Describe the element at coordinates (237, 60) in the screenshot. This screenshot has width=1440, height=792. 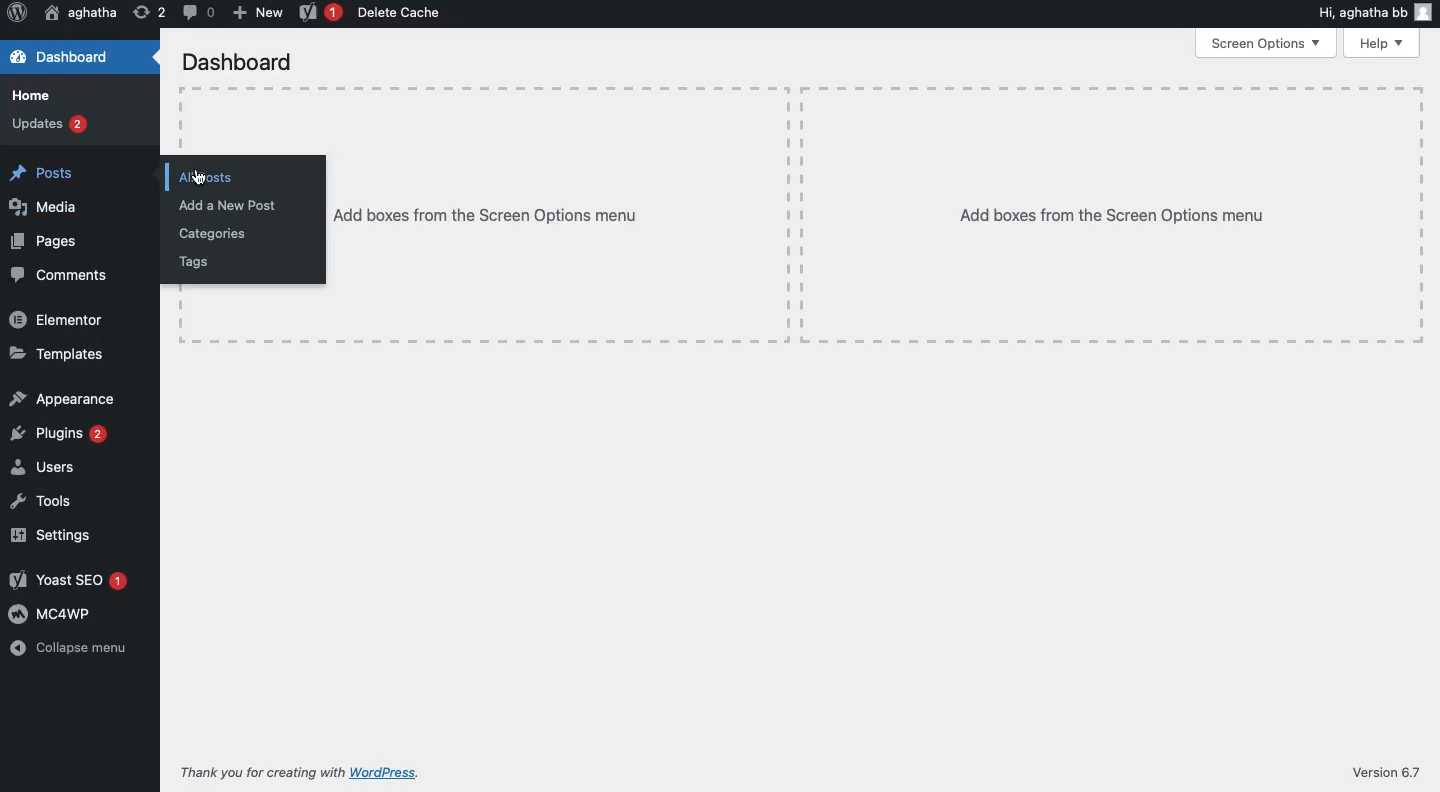
I see `Dashboard` at that location.